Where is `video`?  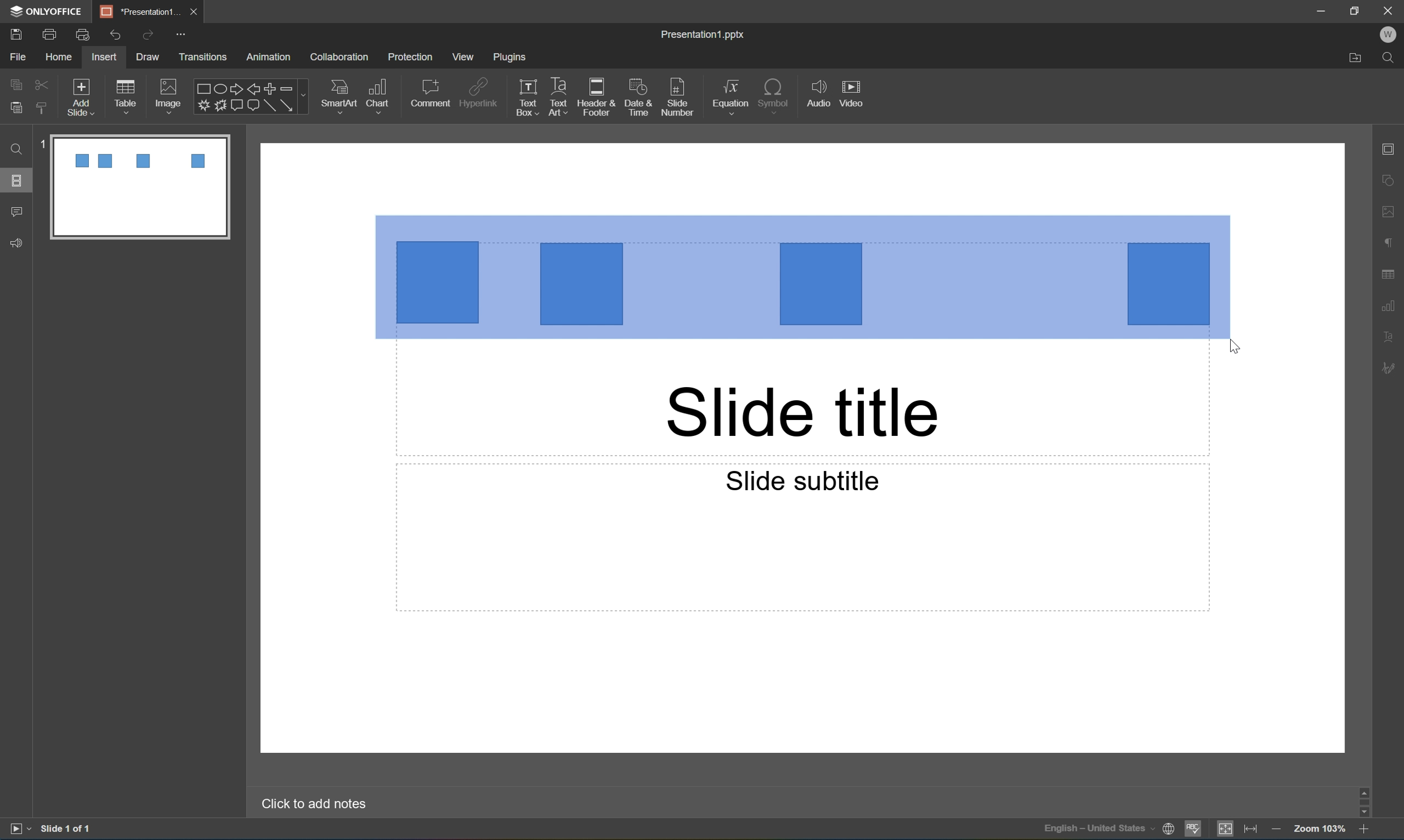 video is located at coordinates (855, 93).